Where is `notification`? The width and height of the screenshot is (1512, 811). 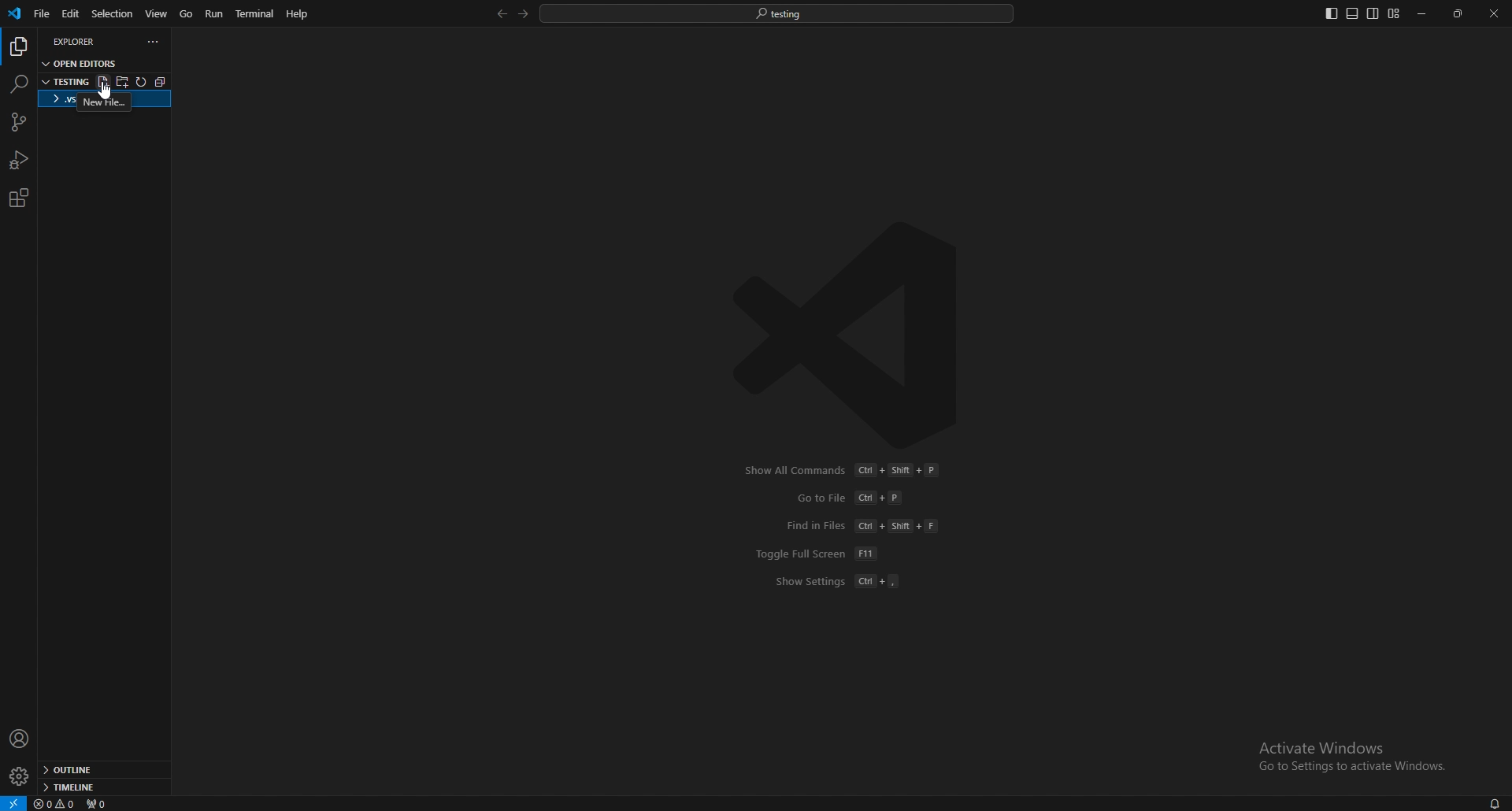 notification is located at coordinates (1493, 803).